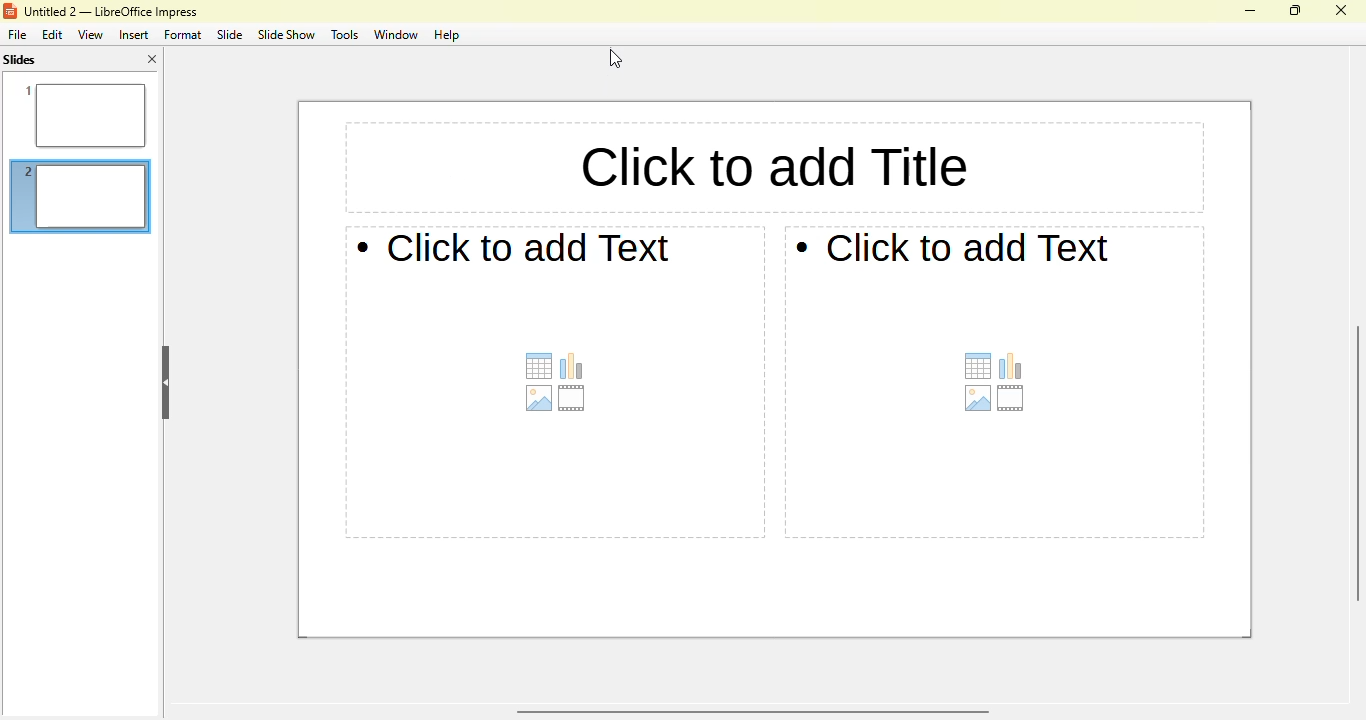 The width and height of the screenshot is (1366, 720). Describe the element at coordinates (1353, 463) in the screenshot. I see `verical scroll bar` at that location.